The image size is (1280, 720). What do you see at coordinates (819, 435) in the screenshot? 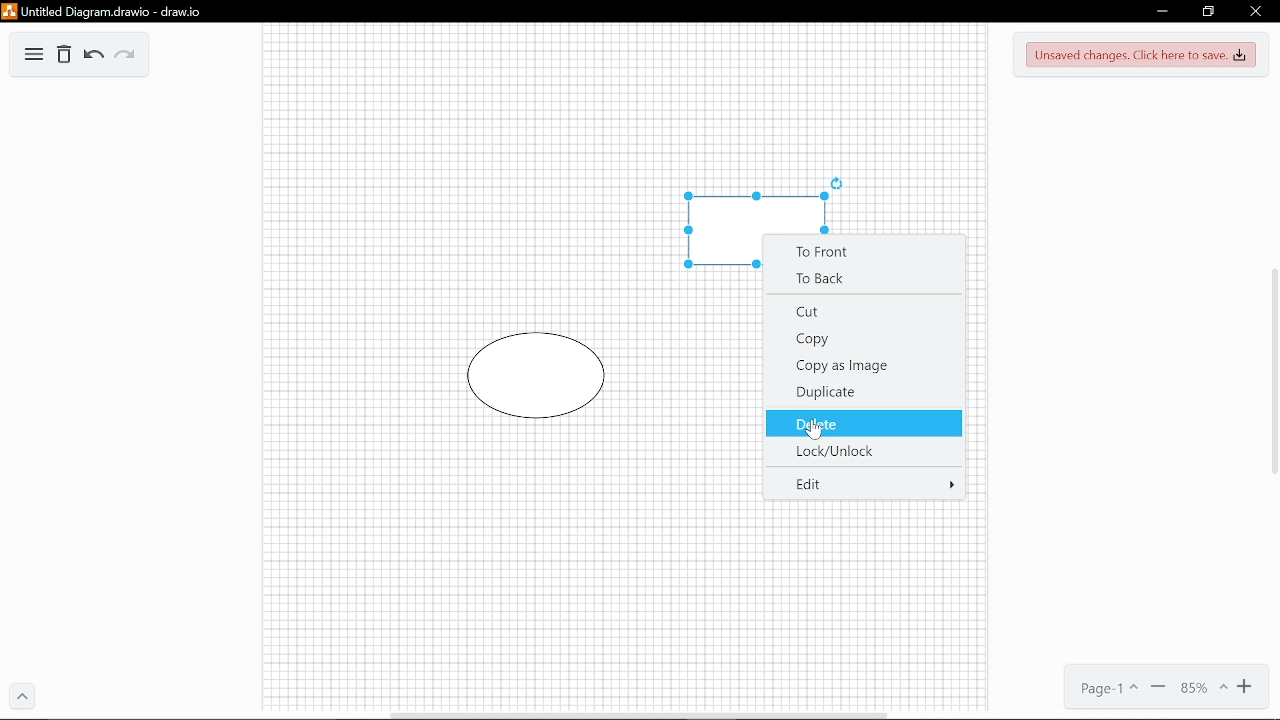
I see `Pointer` at bounding box center [819, 435].